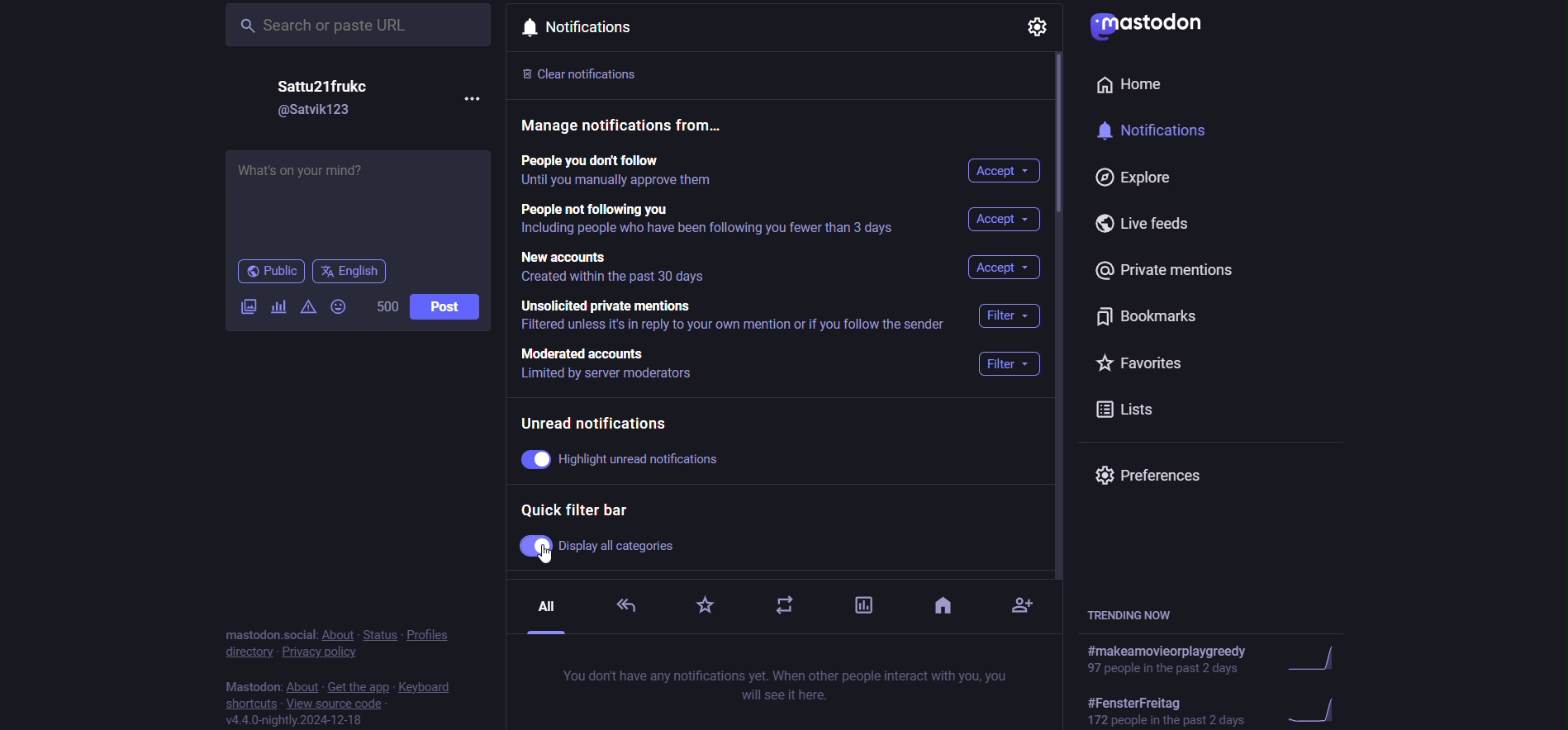 This screenshot has width=1568, height=730. I want to click on favorites, so click(1148, 363).